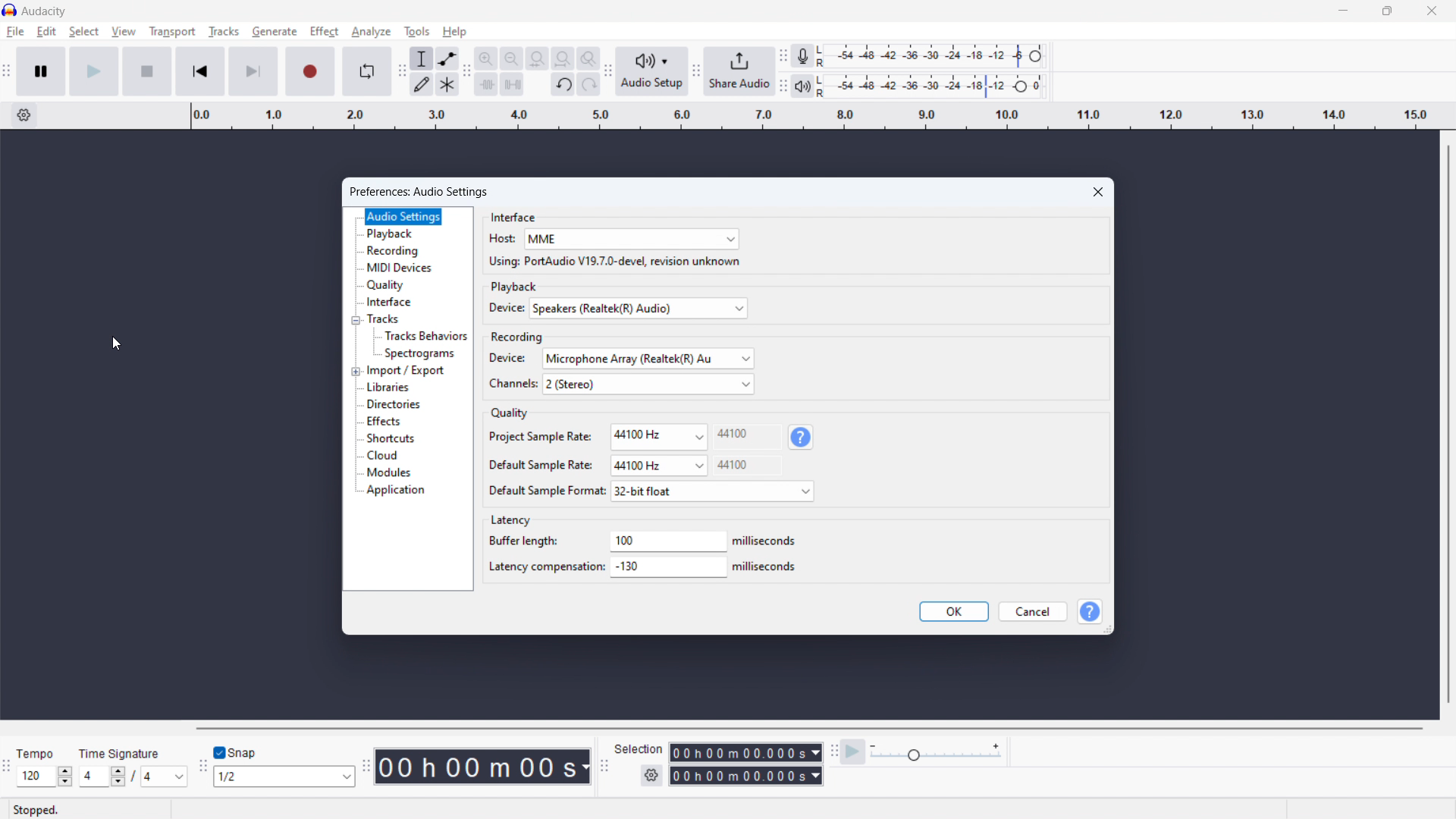 This screenshot has width=1456, height=819. Describe the element at coordinates (1387, 12) in the screenshot. I see `maximize` at that location.